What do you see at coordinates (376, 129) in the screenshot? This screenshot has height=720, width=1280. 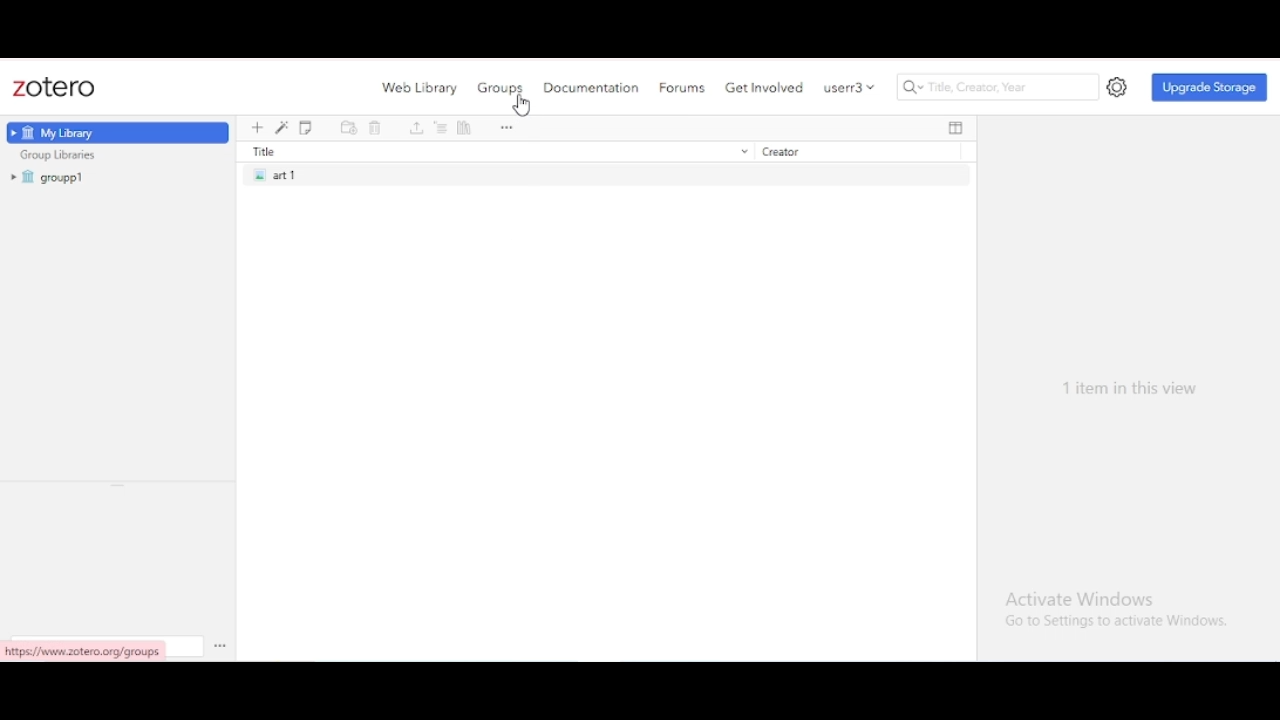 I see `move to trash` at bounding box center [376, 129].